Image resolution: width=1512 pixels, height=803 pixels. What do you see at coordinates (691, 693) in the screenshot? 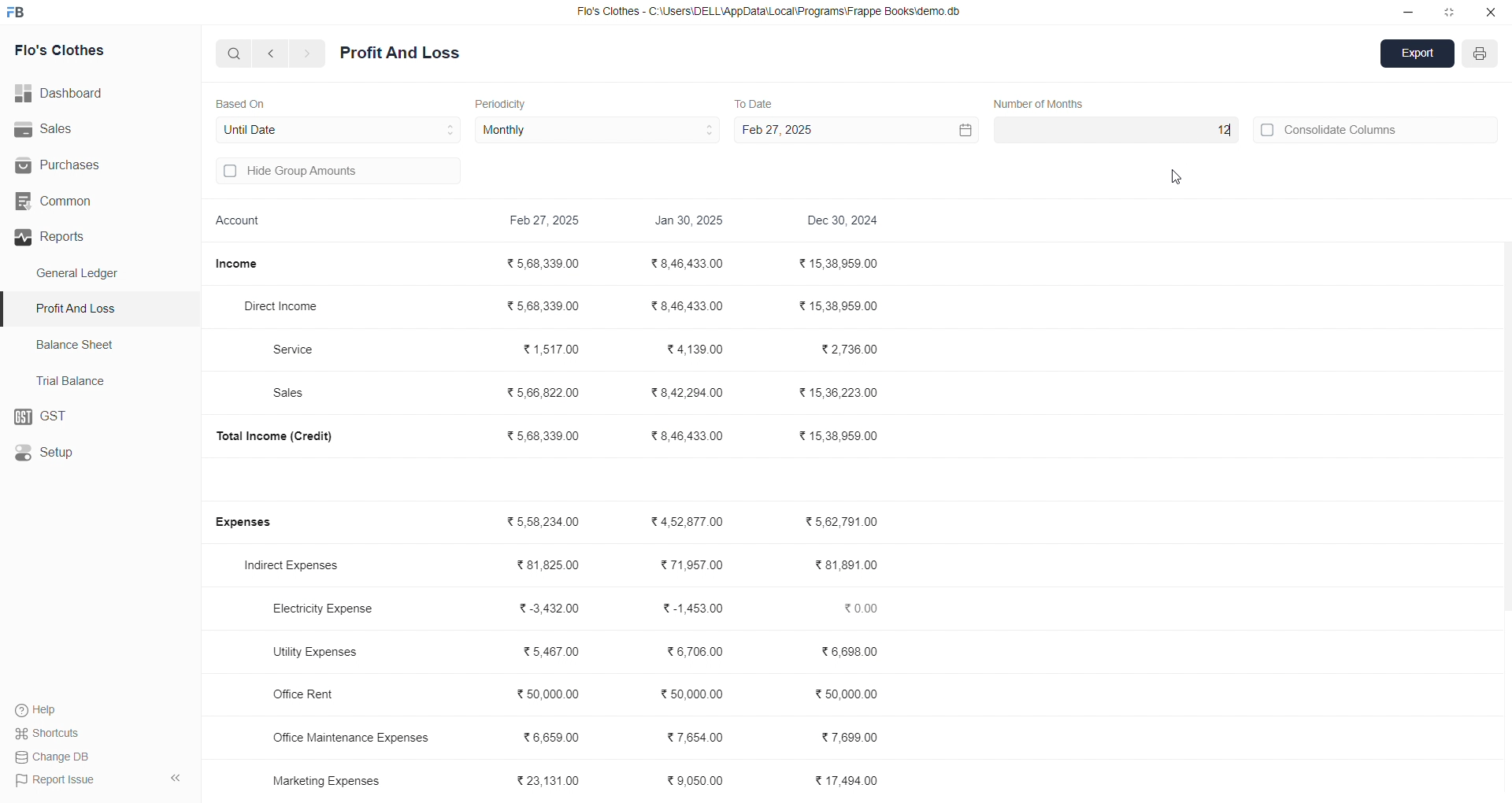
I see `₹50,000.00` at bounding box center [691, 693].